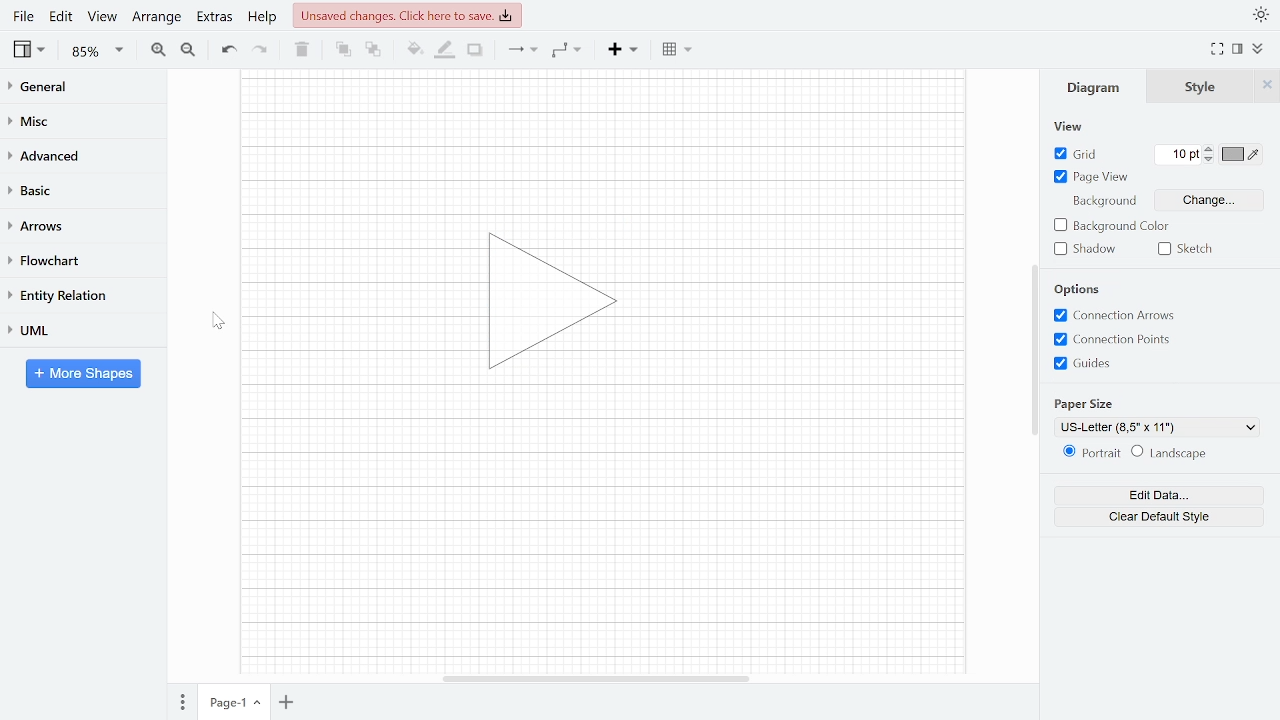  I want to click on shadow, so click(1089, 248).